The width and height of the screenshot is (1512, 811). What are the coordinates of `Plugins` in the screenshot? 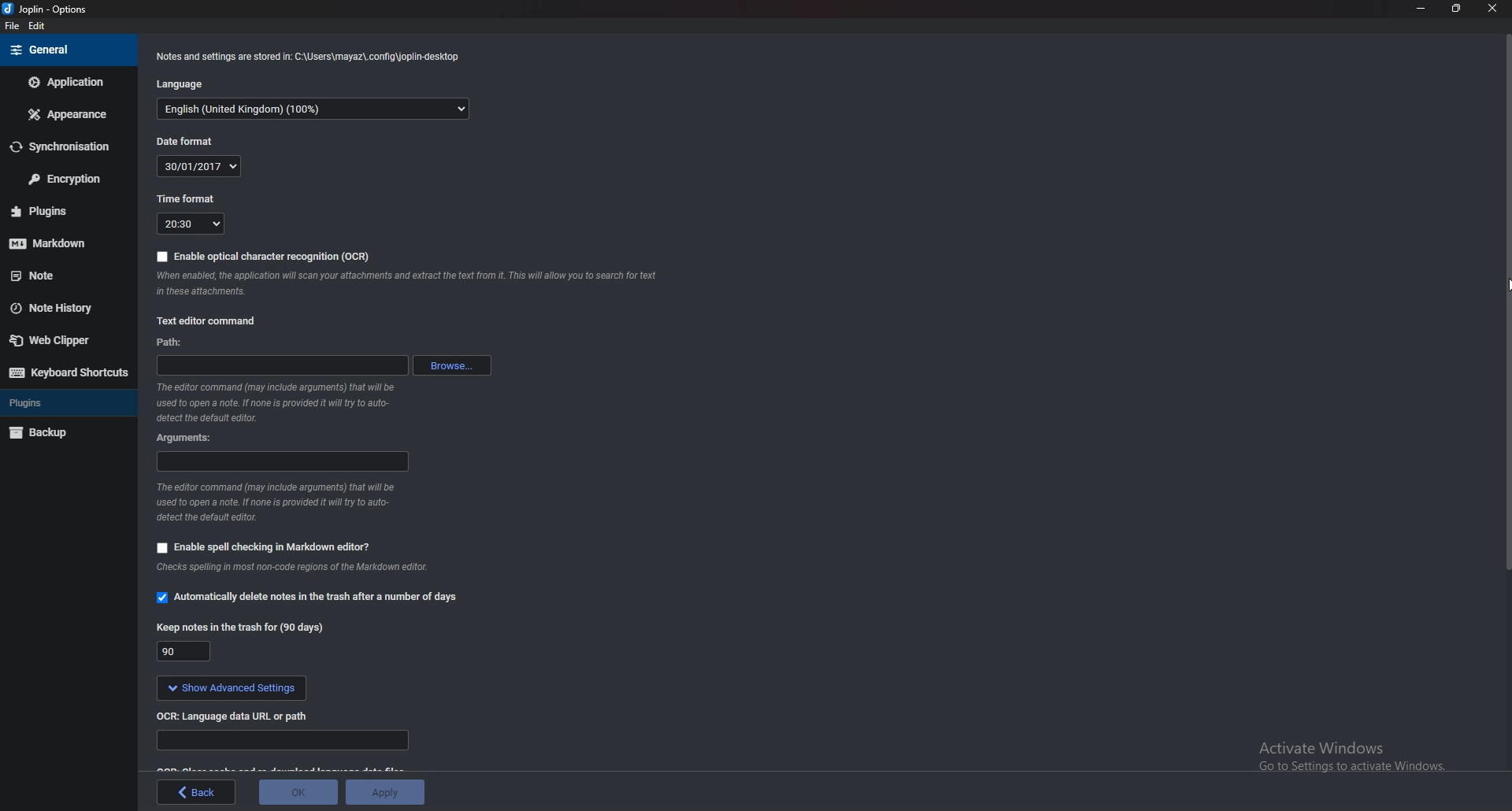 It's located at (57, 402).